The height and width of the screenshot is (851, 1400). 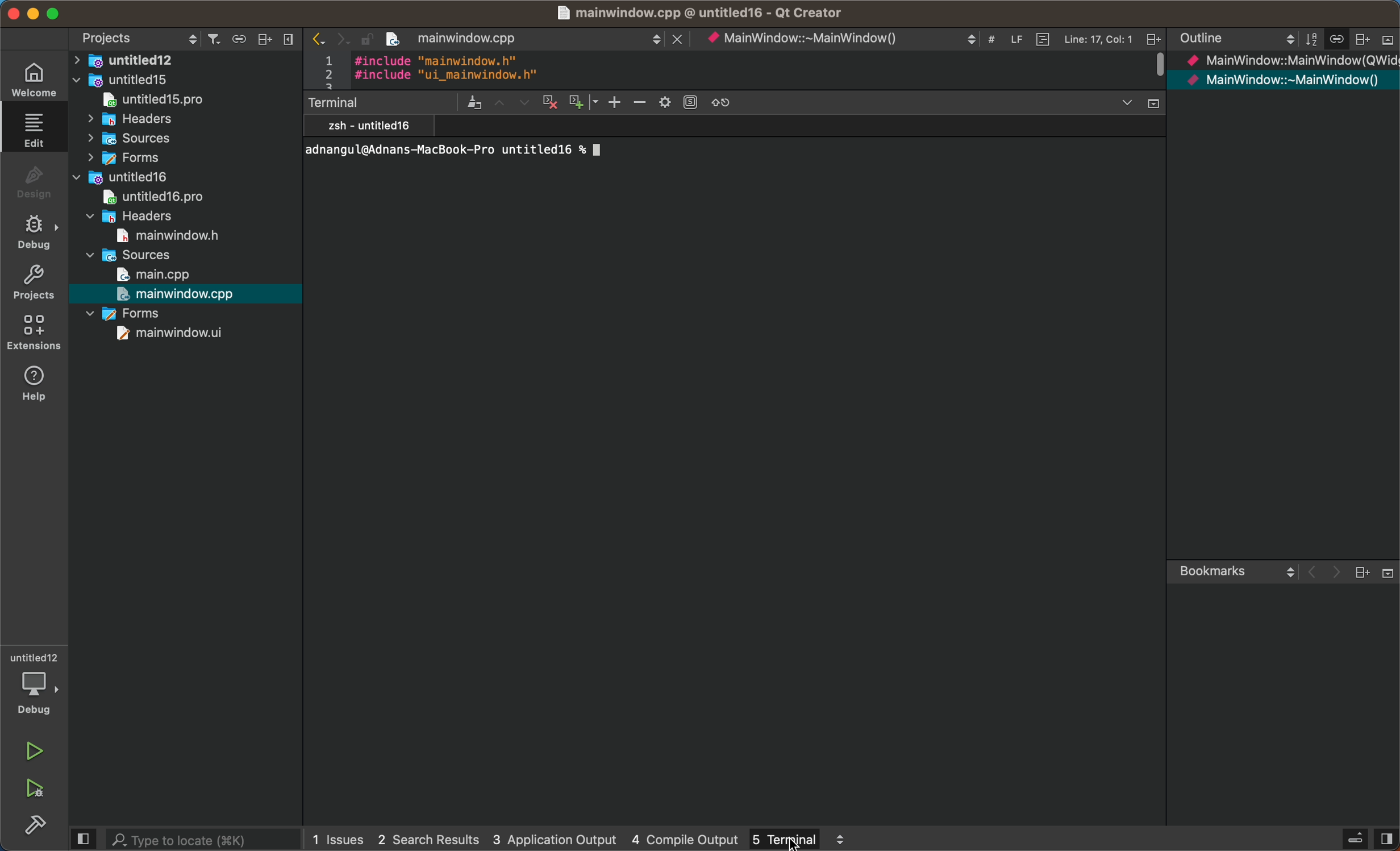 What do you see at coordinates (84, 837) in the screenshot?
I see `open side panel` at bounding box center [84, 837].